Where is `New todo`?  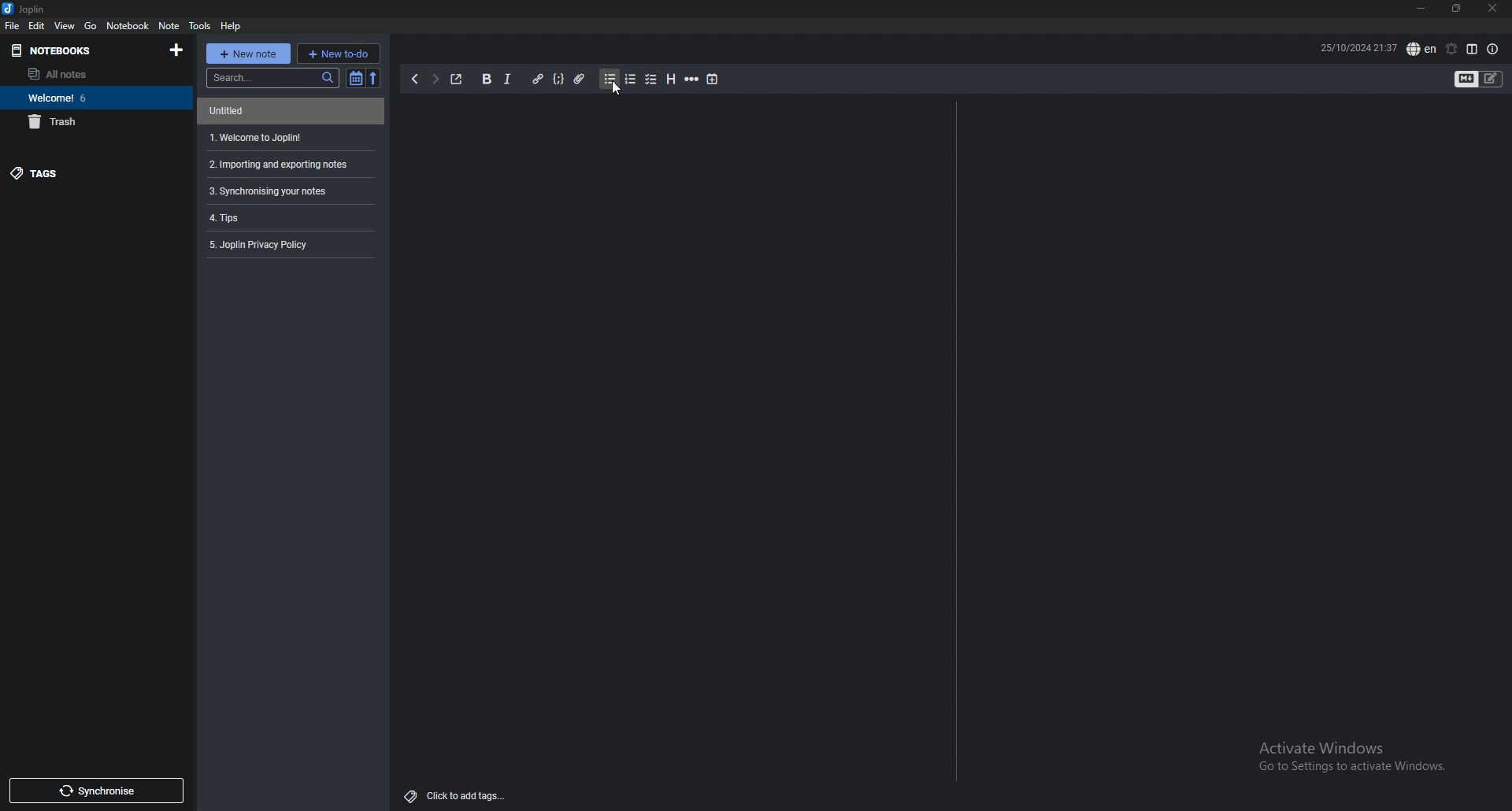
New todo is located at coordinates (339, 53).